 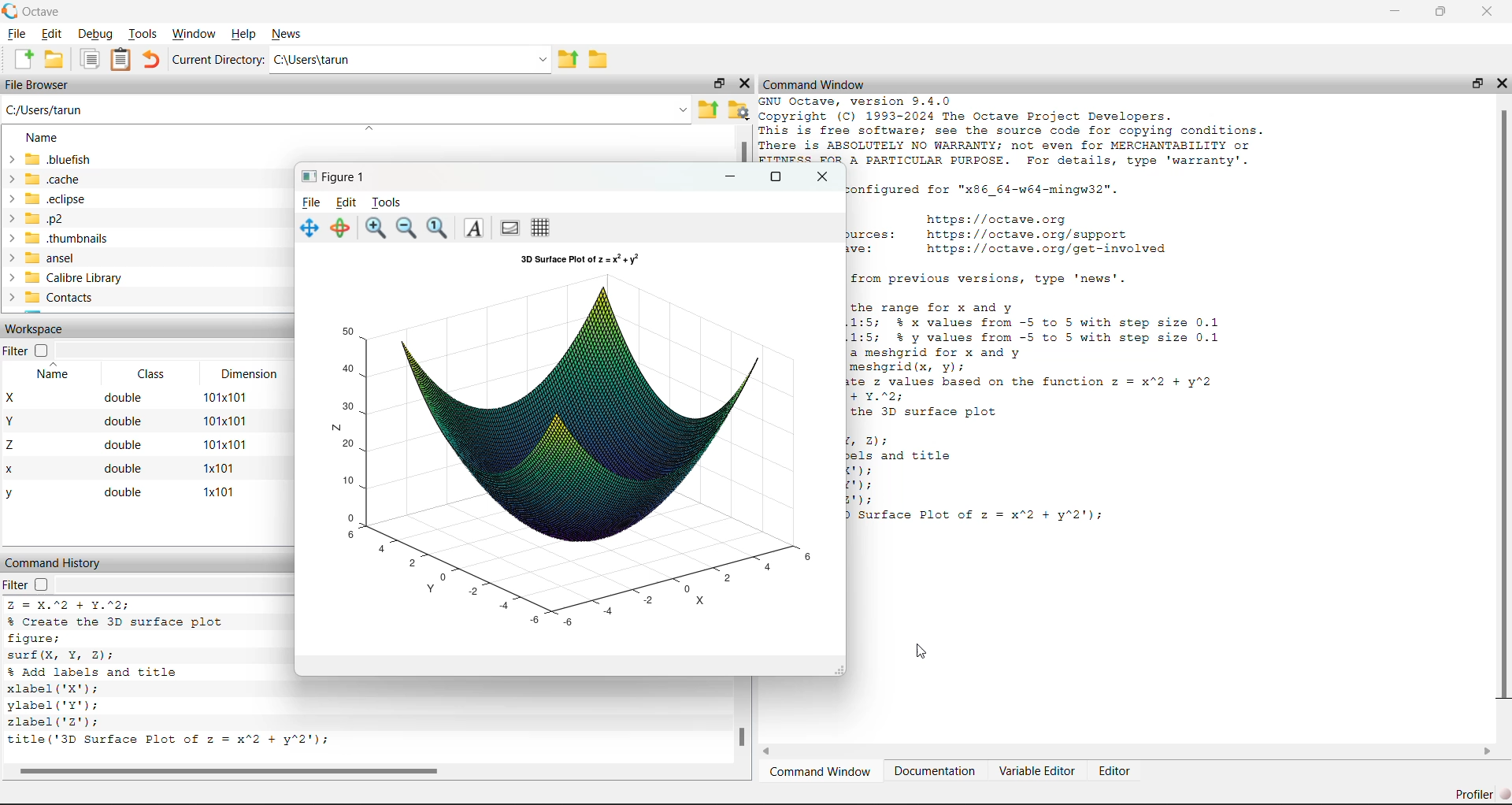 I want to click on ylabel('Y');, so click(x=56, y=706).